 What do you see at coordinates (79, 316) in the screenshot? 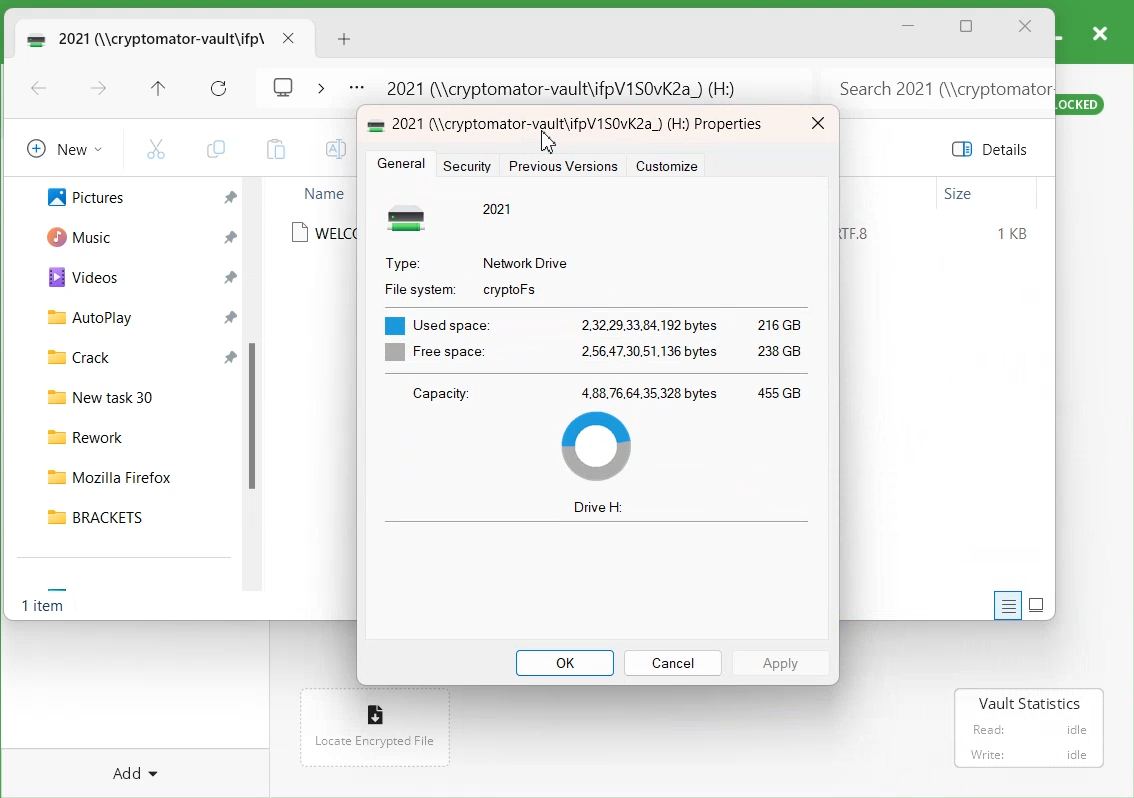
I see `AutoPlay` at bounding box center [79, 316].